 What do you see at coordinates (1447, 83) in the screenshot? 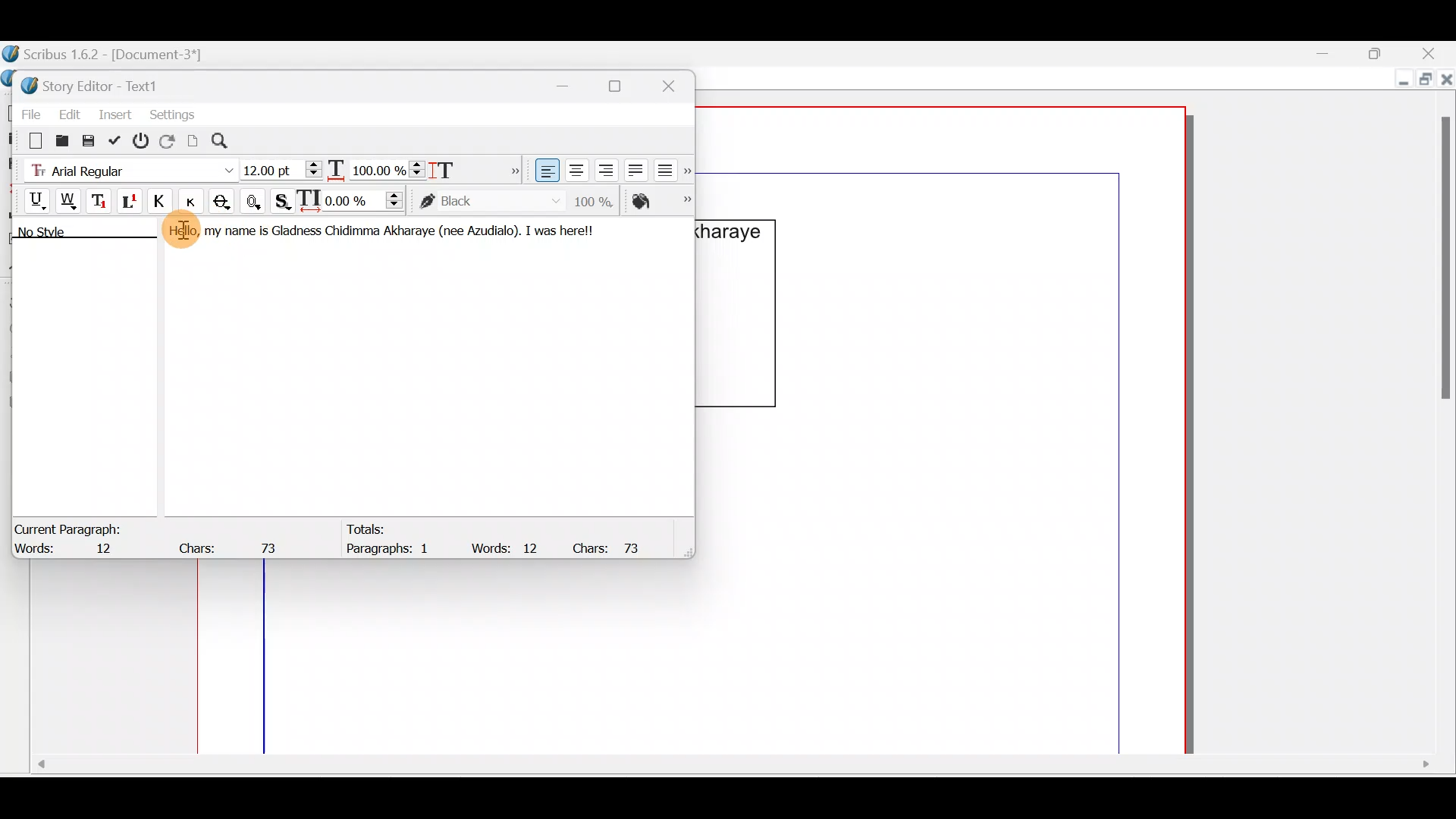
I see `Close` at bounding box center [1447, 83].